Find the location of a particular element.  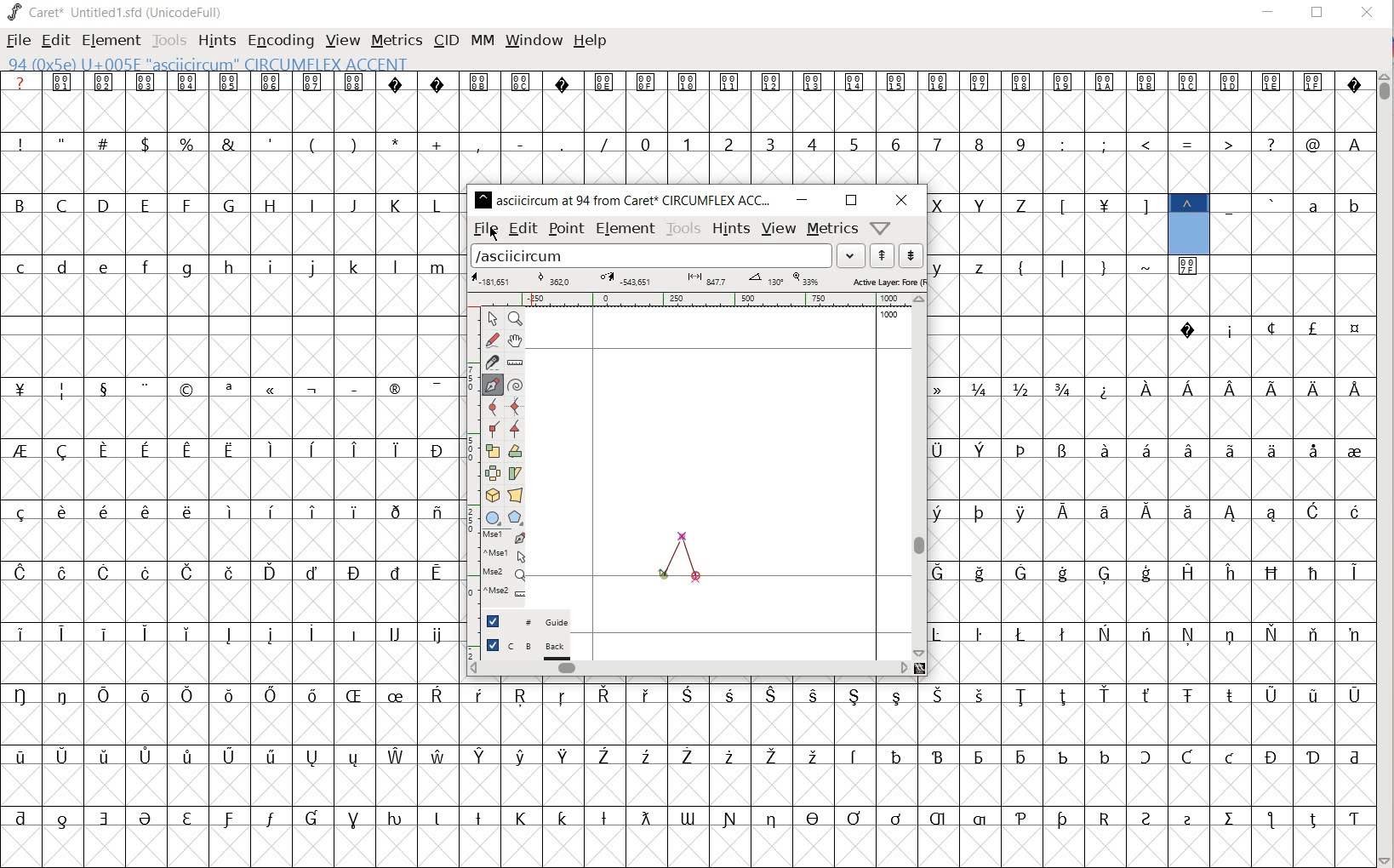

ruler is located at coordinates (694, 300).